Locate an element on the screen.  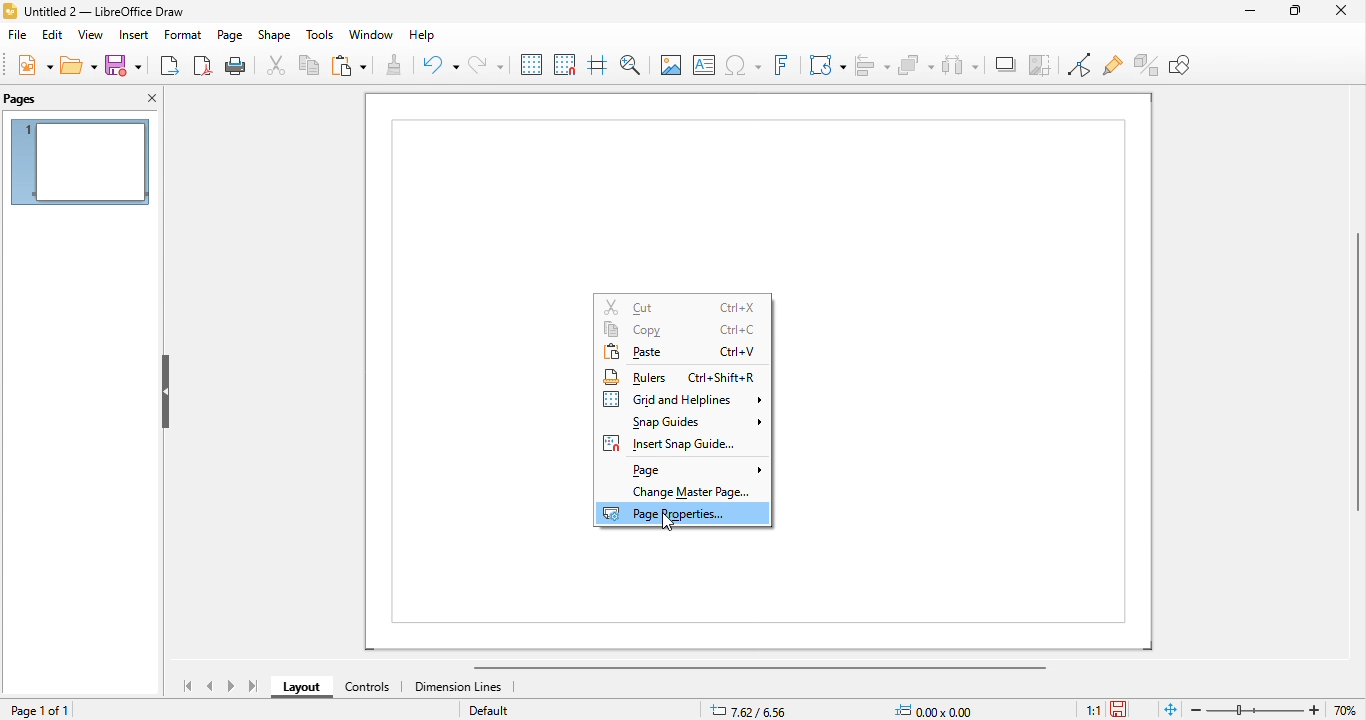
next is located at coordinates (229, 687).